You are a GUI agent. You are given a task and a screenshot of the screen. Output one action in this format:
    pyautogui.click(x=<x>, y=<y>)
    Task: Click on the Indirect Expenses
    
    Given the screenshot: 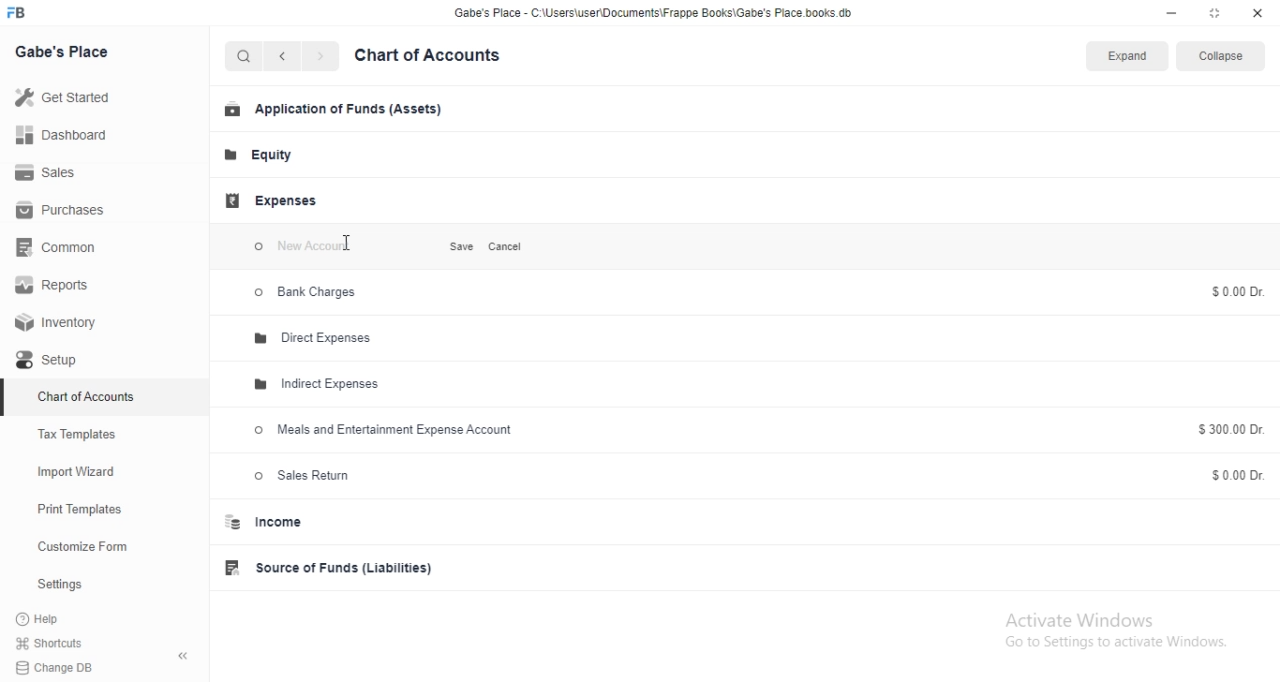 What is the action you would take?
    pyautogui.click(x=326, y=382)
    